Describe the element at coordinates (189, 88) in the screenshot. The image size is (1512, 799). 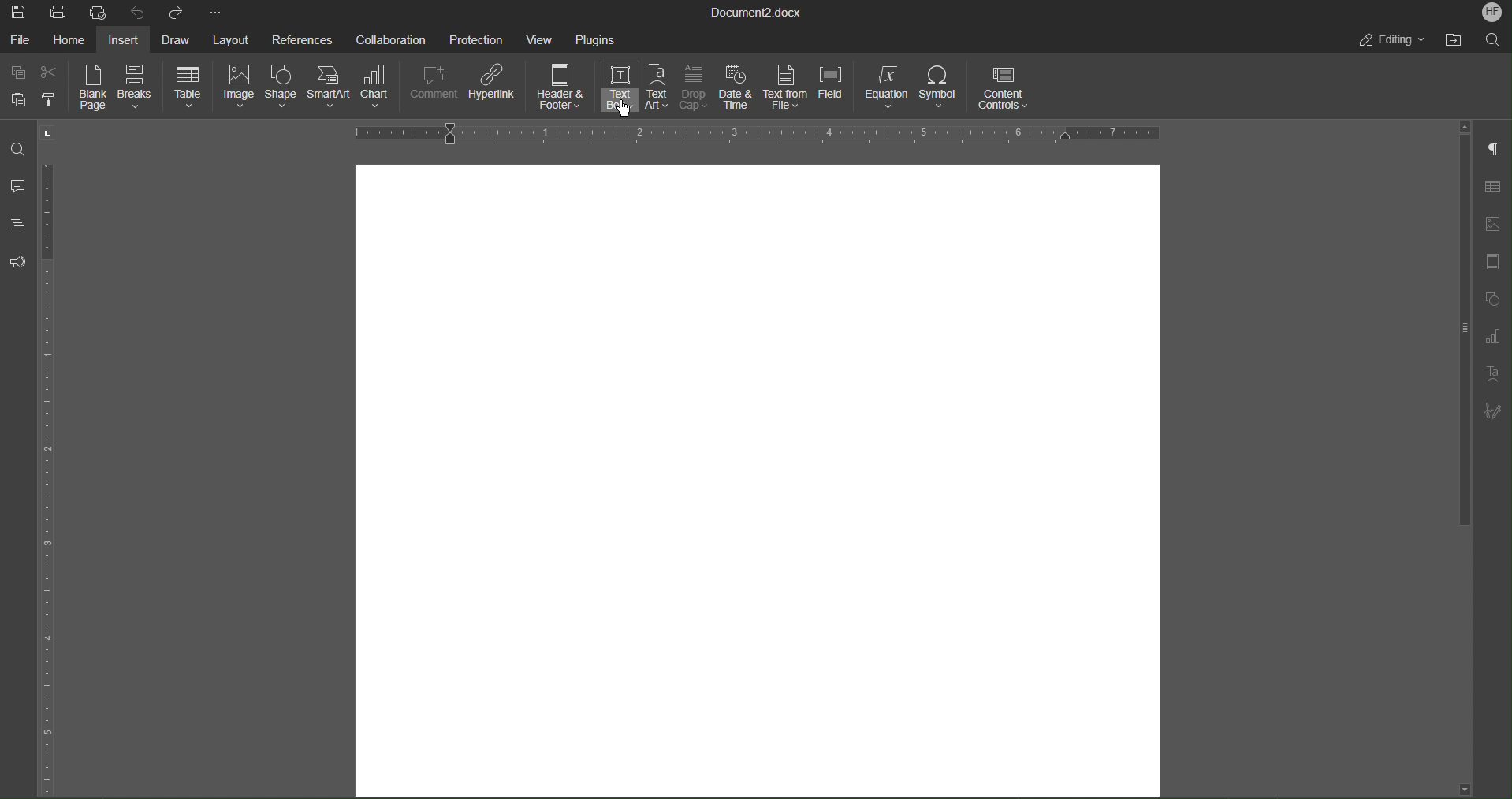
I see `Table` at that location.